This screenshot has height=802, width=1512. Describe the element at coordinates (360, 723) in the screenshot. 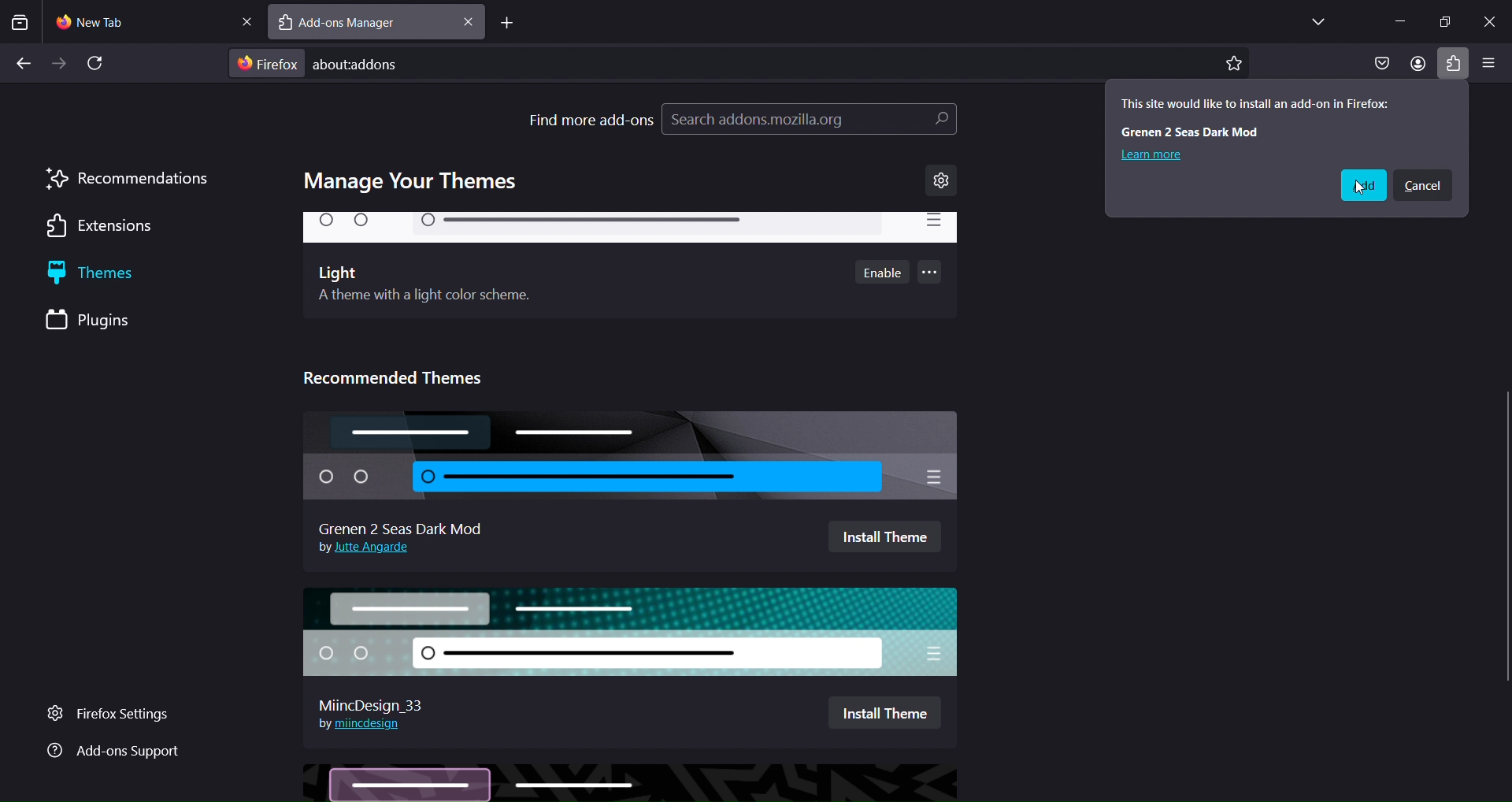

I see `by miincdesign` at that location.